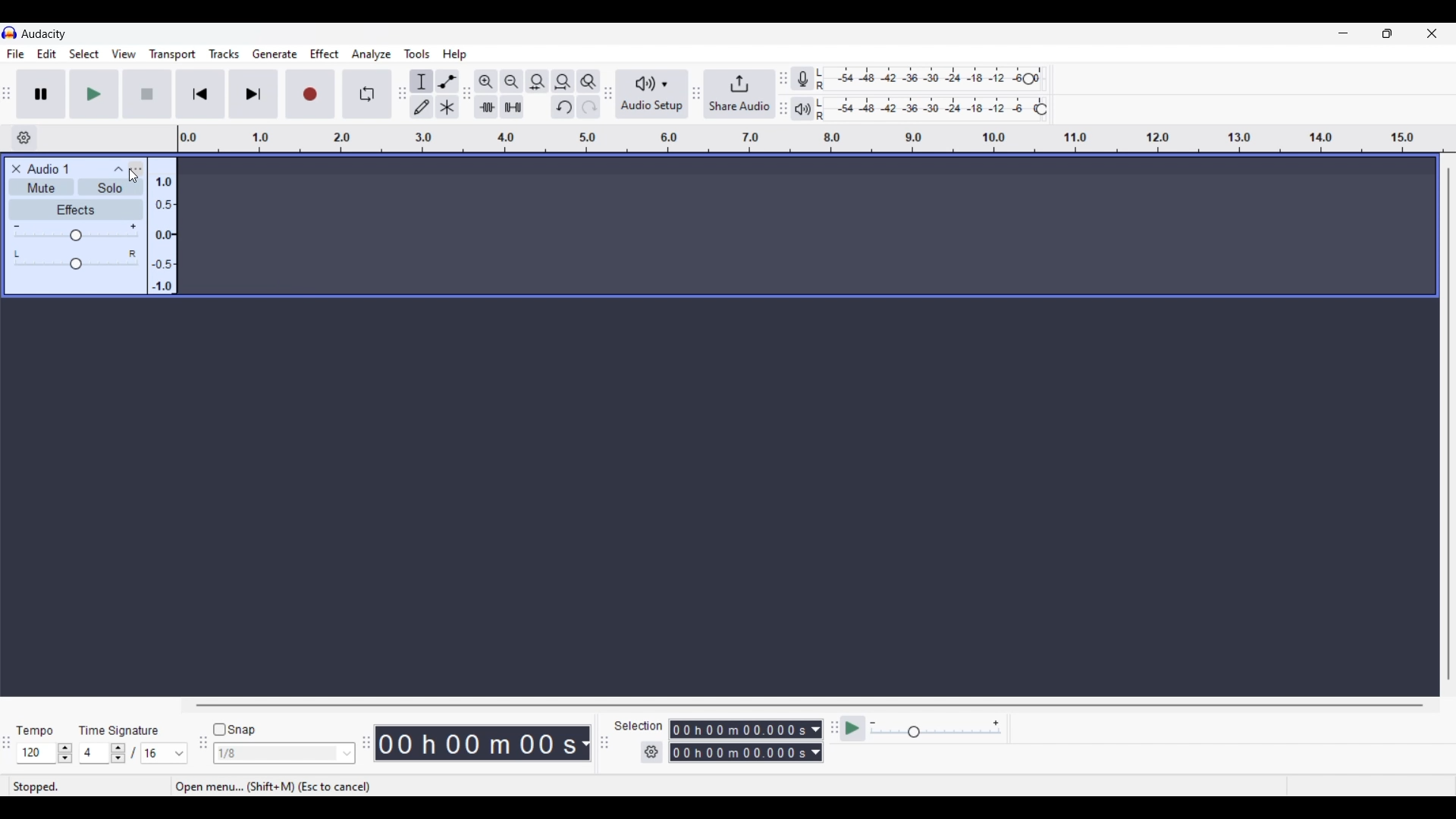 The width and height of the screenshot is (1456, 819). Describe the element at coordinates (34, 730) in the screenshot. I see `Tempo` at that location.